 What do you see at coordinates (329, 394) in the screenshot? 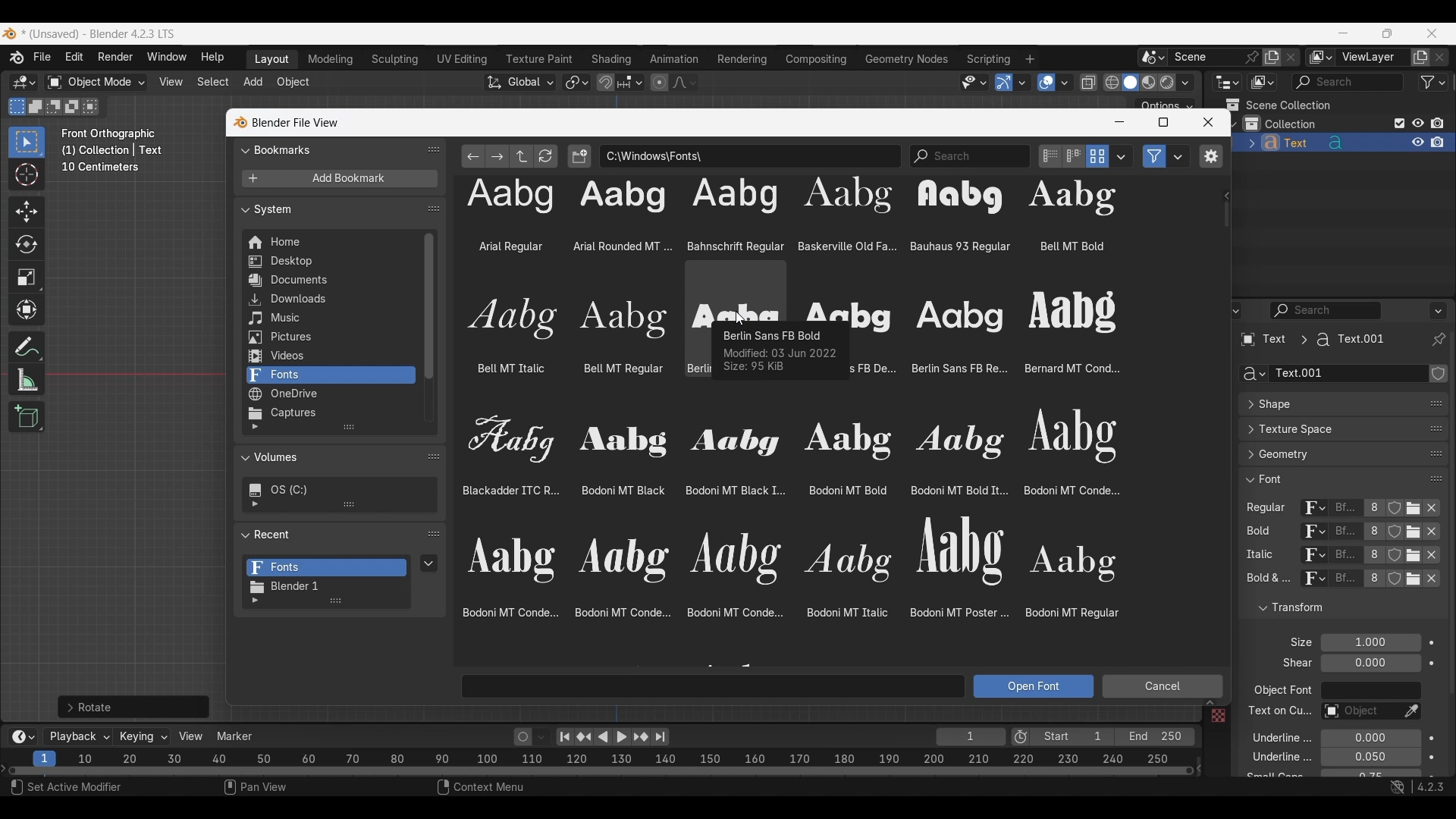
I see `OneDrive folder` at bounding box center [329, 394].